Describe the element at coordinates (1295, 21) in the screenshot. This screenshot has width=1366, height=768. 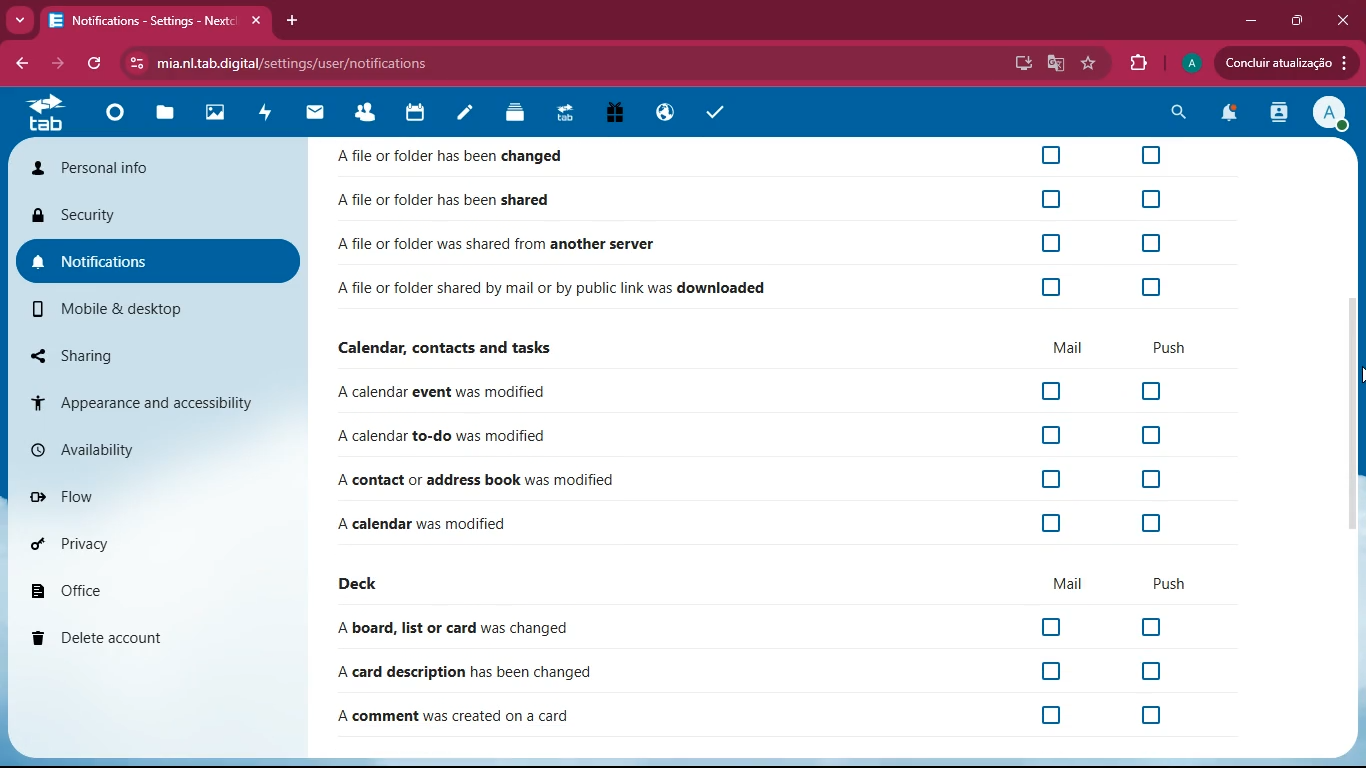
I see `maximize` at that location.